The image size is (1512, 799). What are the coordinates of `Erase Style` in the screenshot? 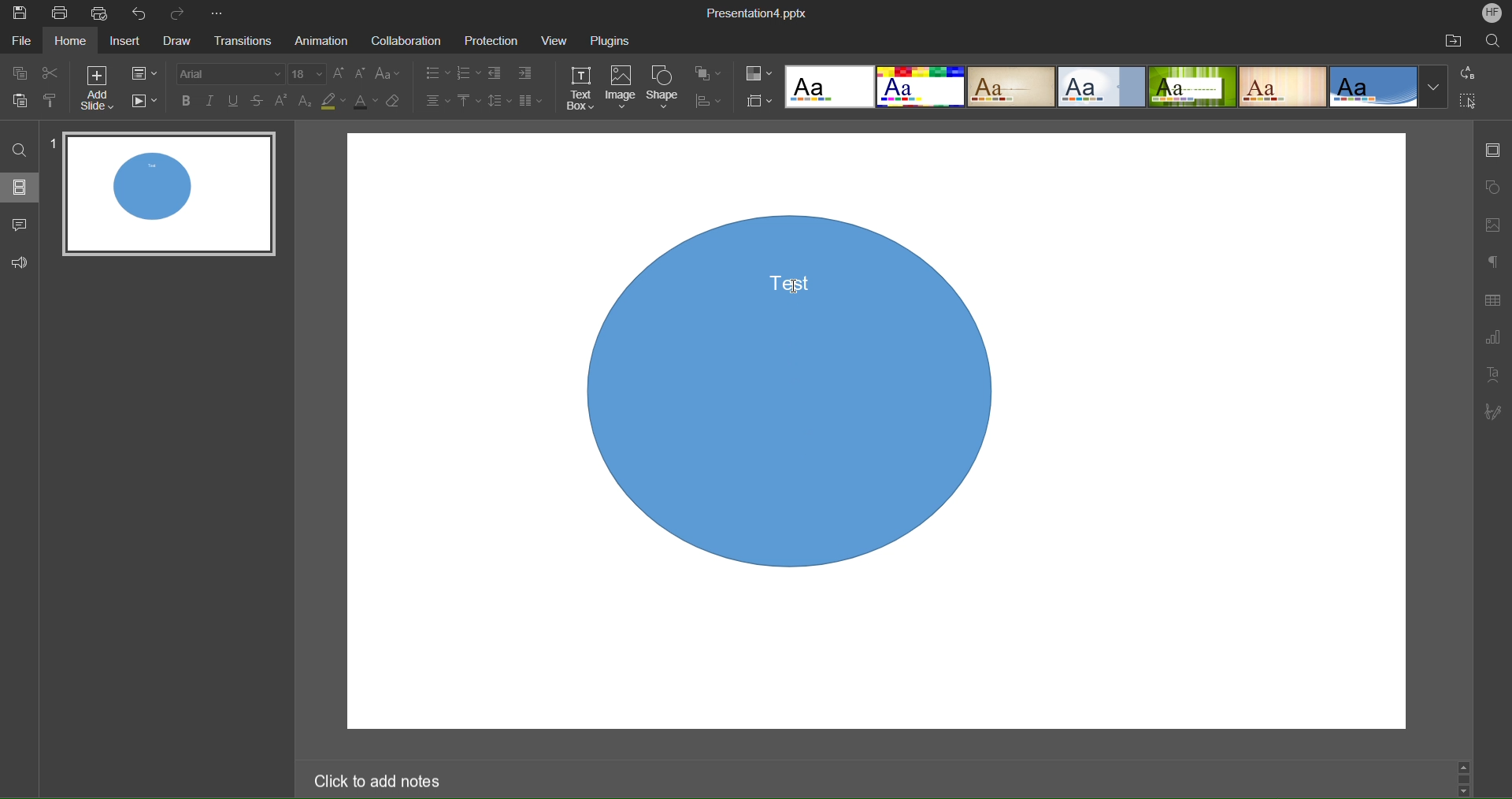 It's located at (398, 105).